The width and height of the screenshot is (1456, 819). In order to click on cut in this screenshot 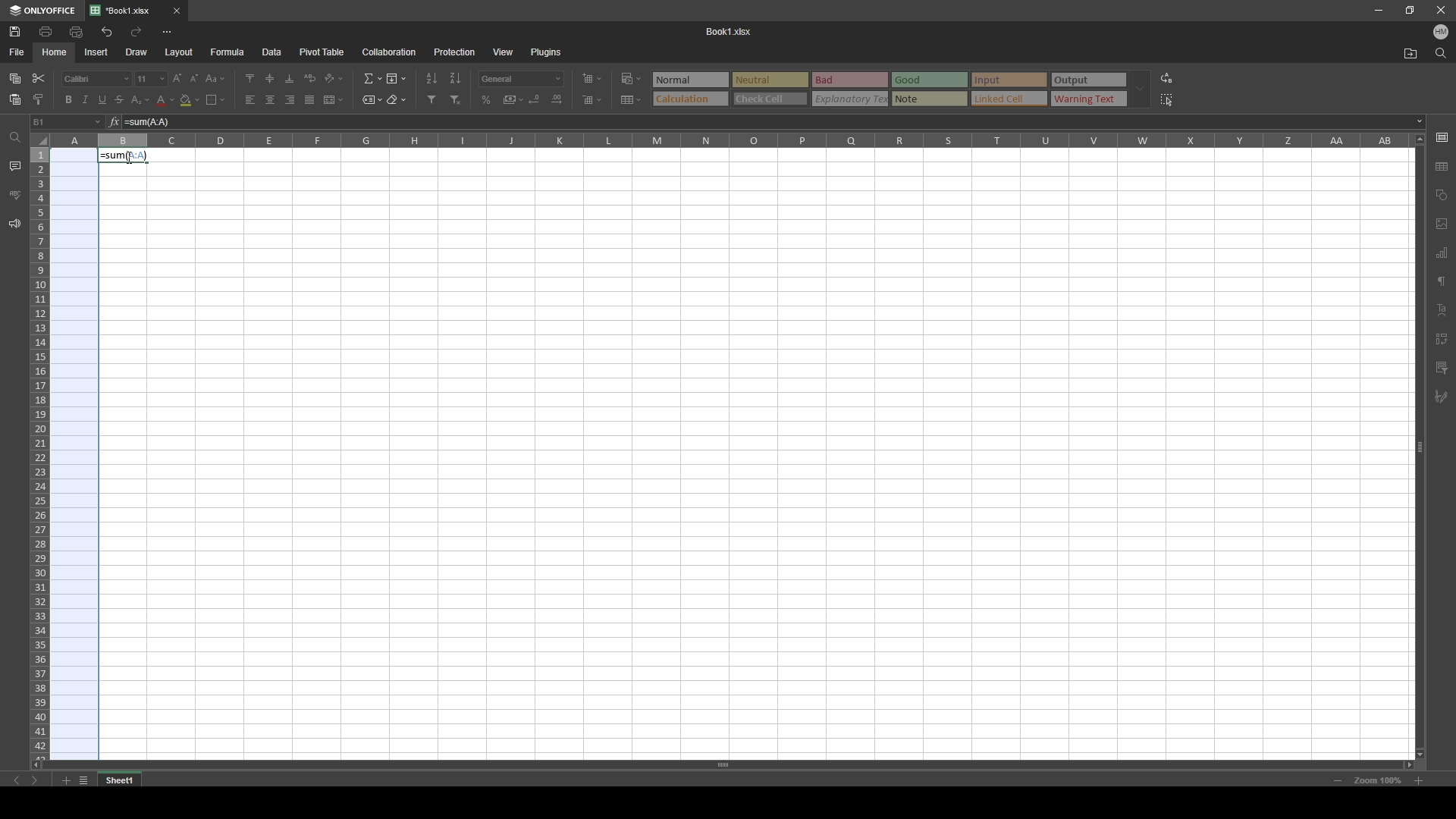, I will do `click(39, 78)`.